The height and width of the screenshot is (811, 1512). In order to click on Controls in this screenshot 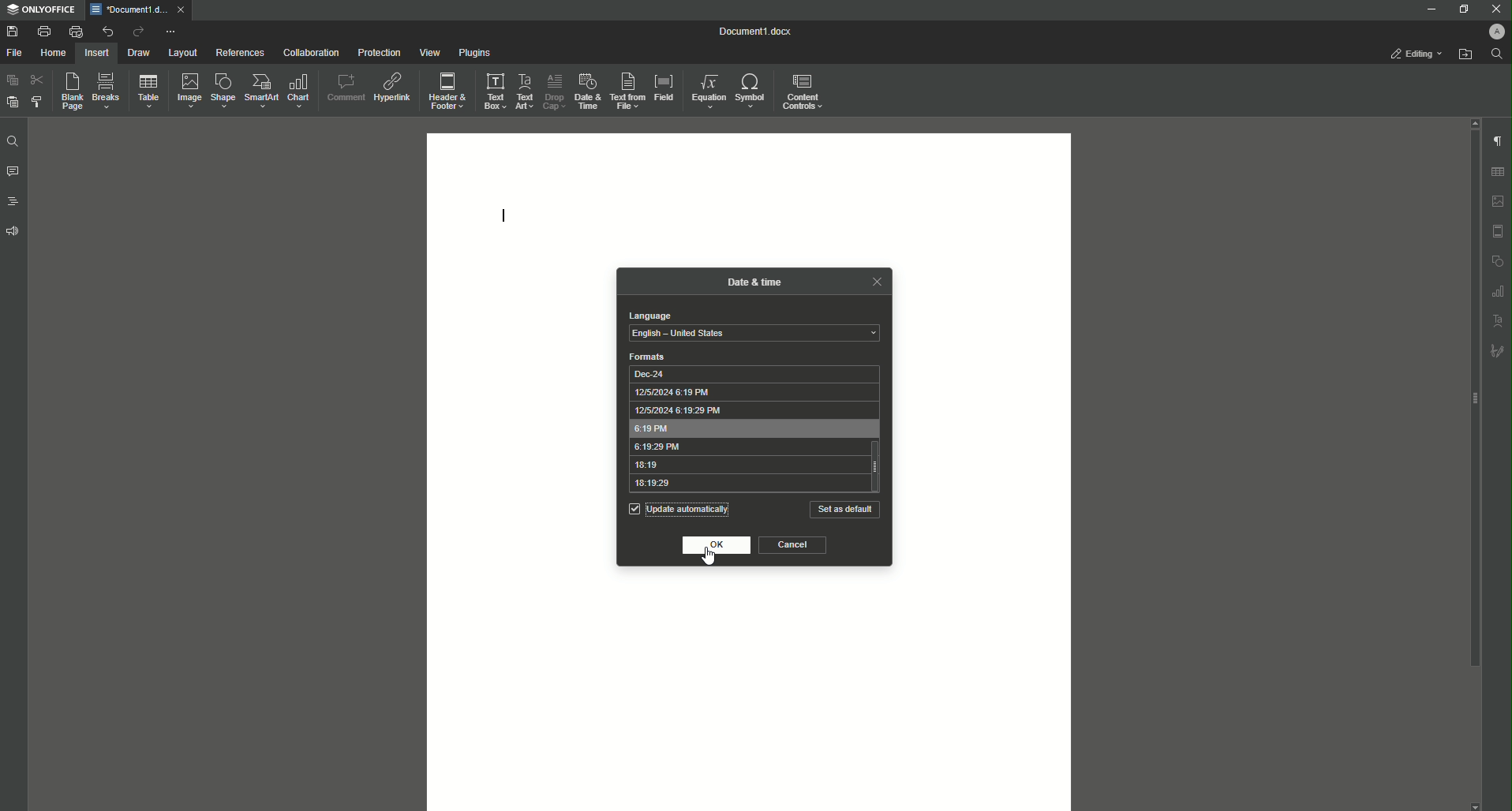, I will do `click(806, 91)`.